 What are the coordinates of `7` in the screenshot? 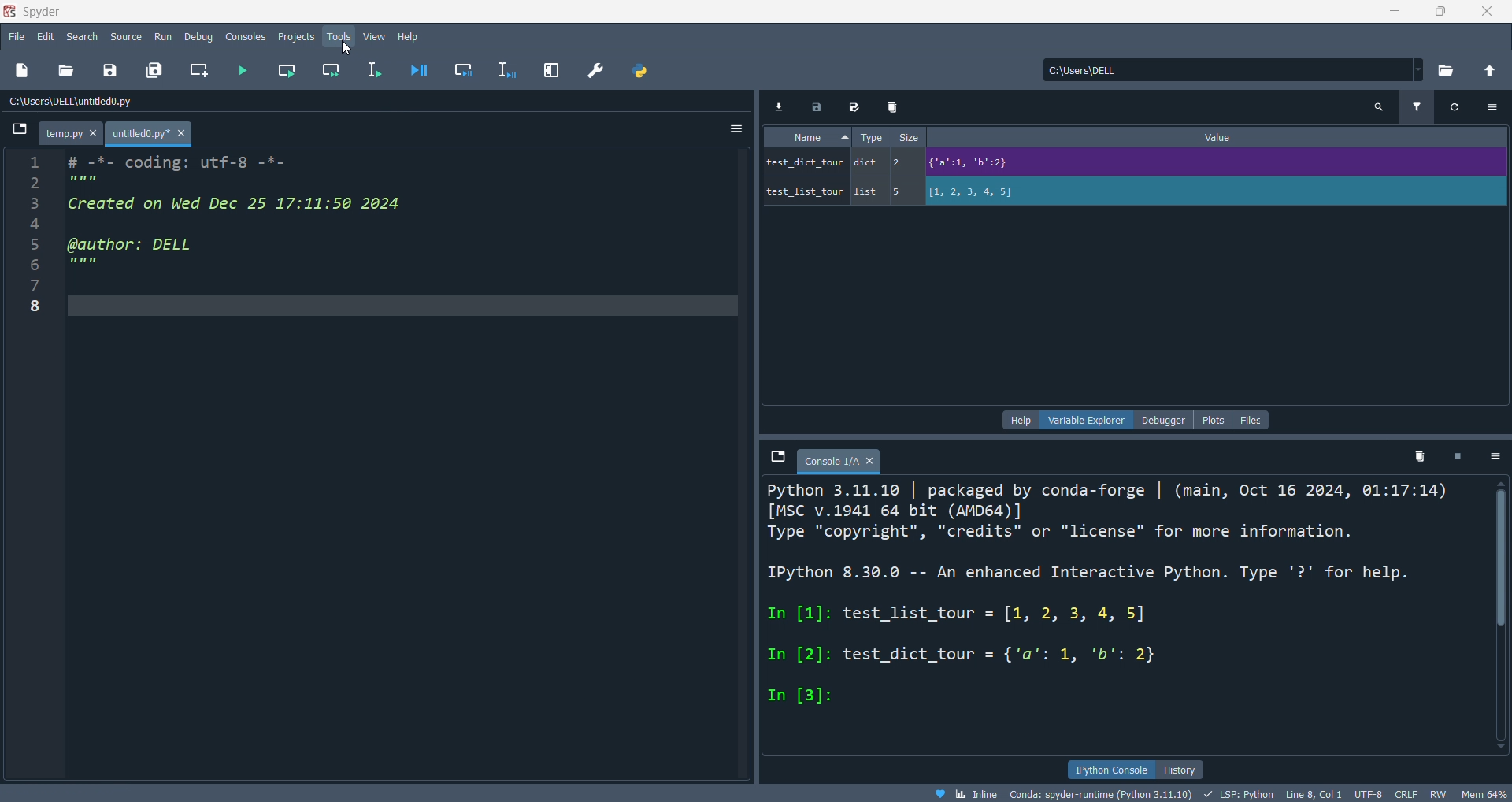 It's located at (46, 287).